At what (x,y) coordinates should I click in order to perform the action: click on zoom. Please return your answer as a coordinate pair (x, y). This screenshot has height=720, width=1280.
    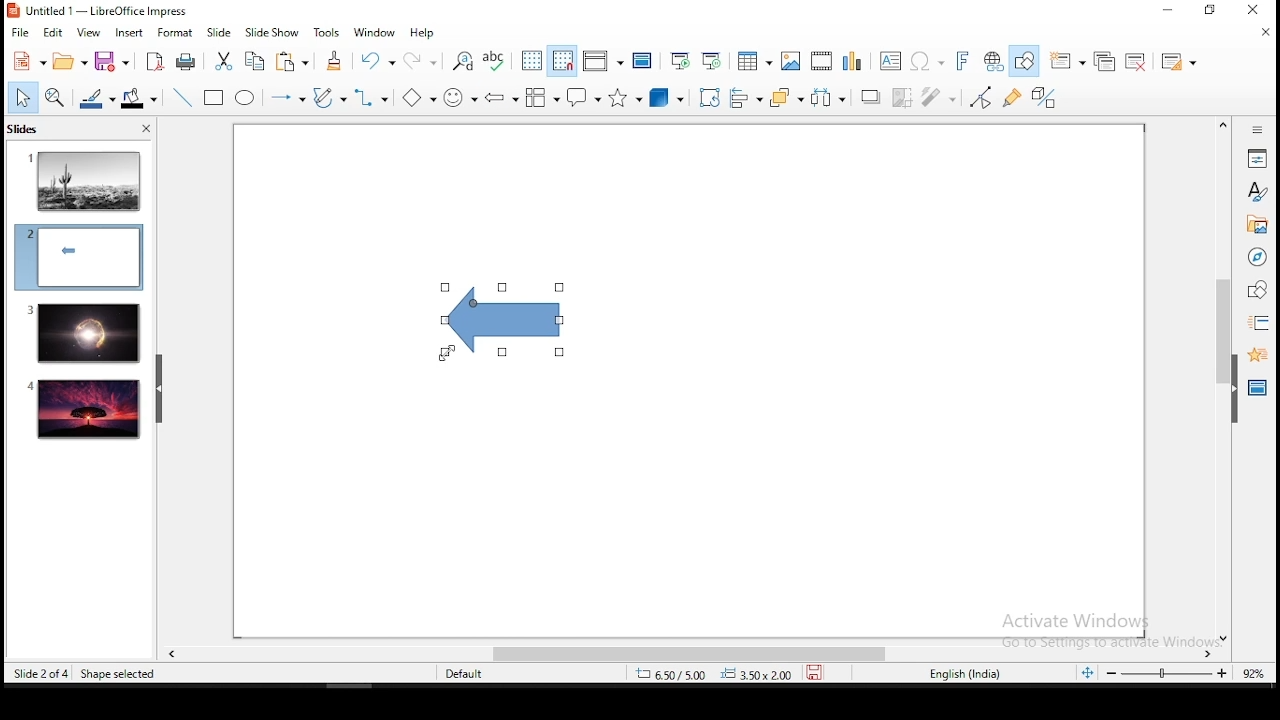
    Looking at the image, I should click on (1167, 674).